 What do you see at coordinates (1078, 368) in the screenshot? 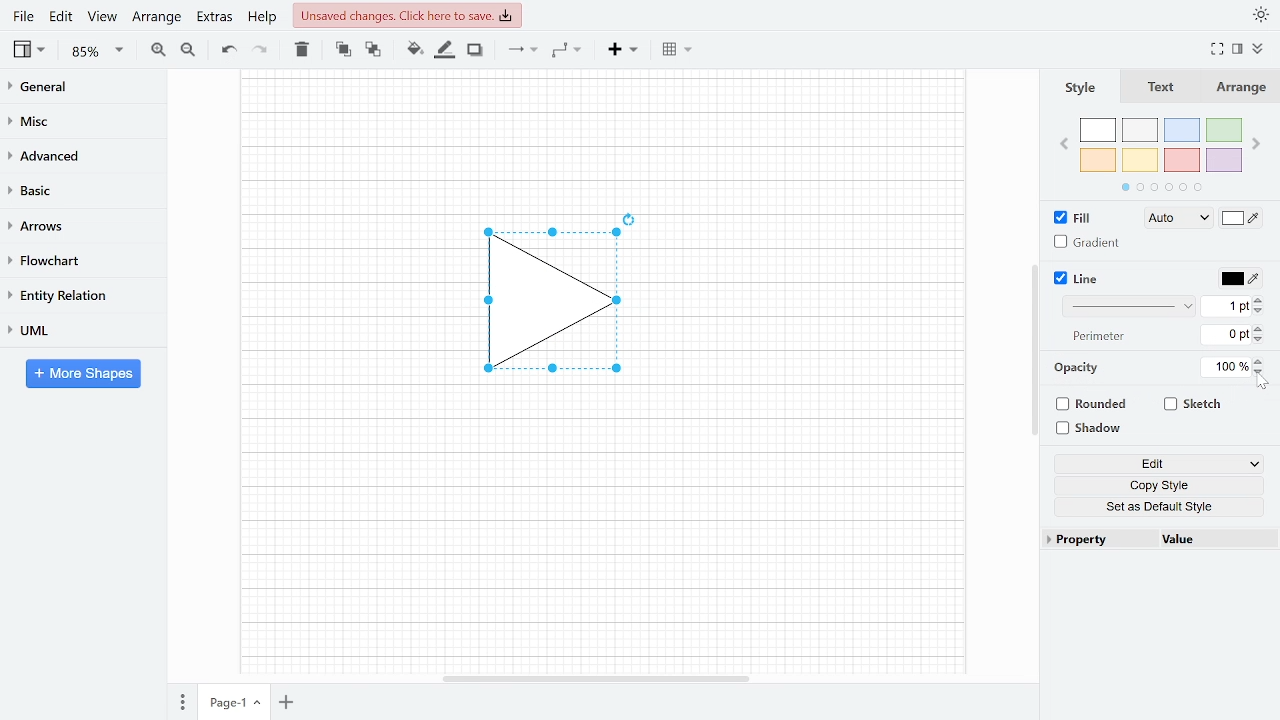
I see `Opacity` at bounding box center [1078, 368].